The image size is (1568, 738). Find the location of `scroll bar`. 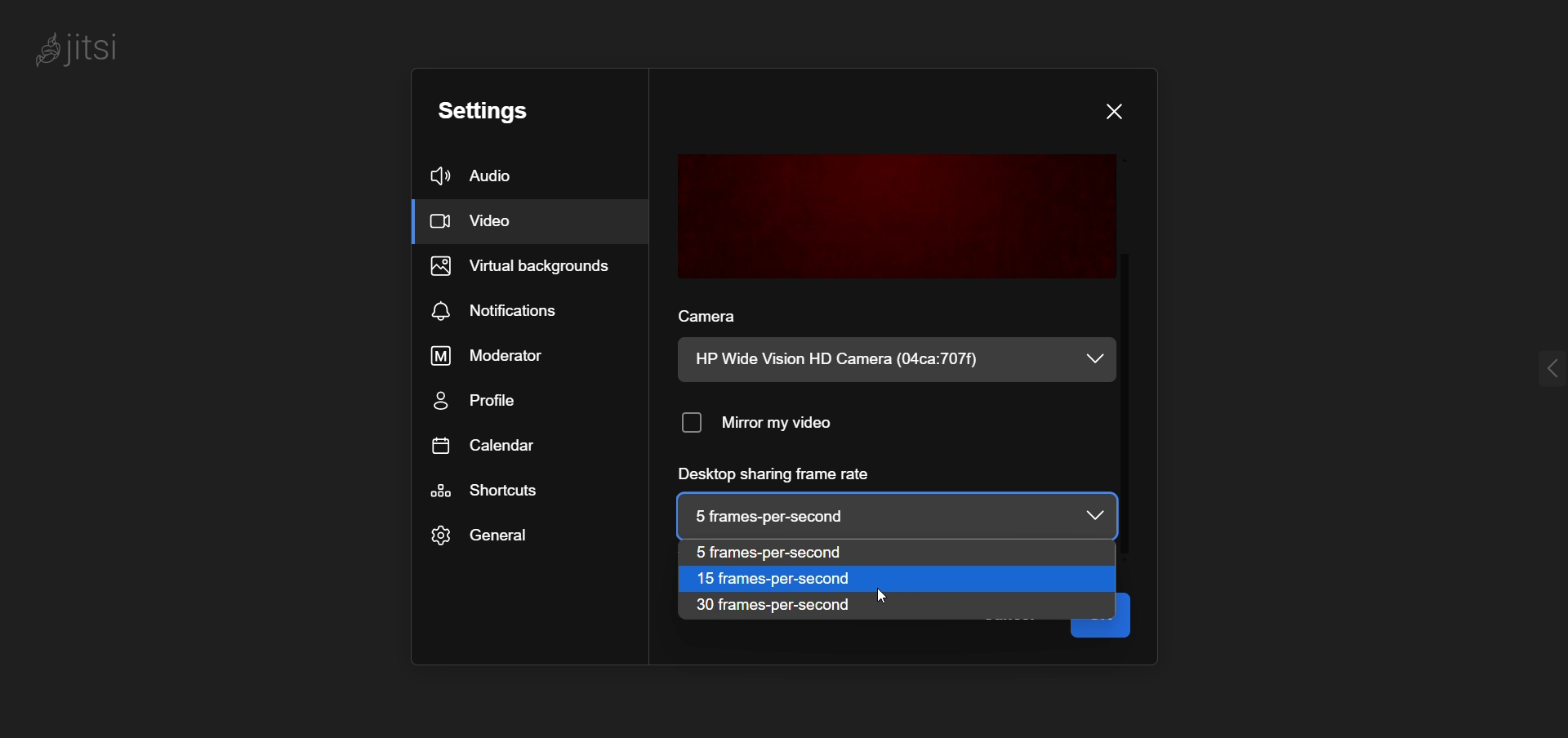

scroll bar is located at coordinates (1140, 340).